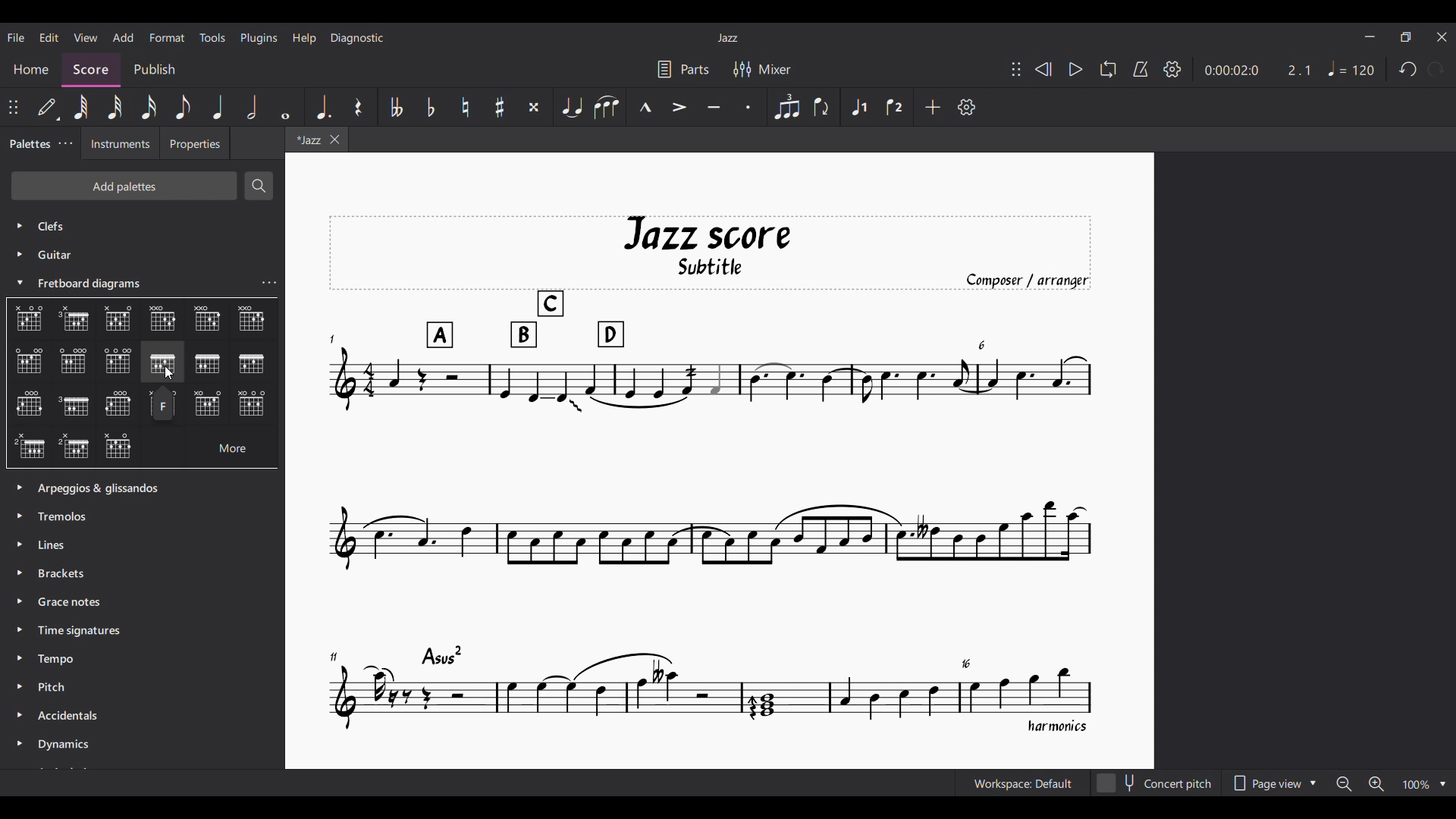 This screenshot has height=819, width=1456. I want to click on 32nd note, so click(115, 107).